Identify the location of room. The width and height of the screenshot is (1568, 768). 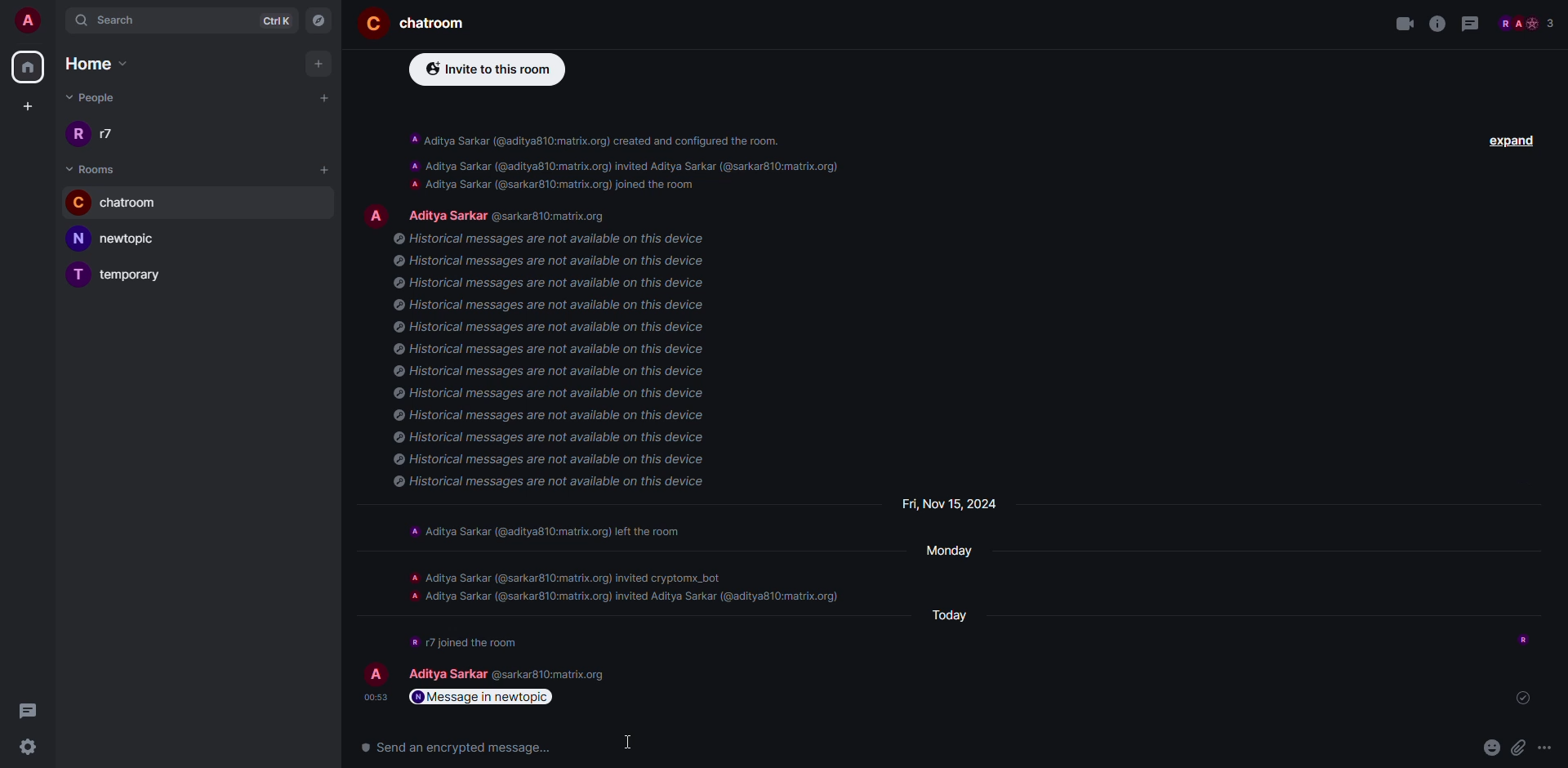
(96, 167).